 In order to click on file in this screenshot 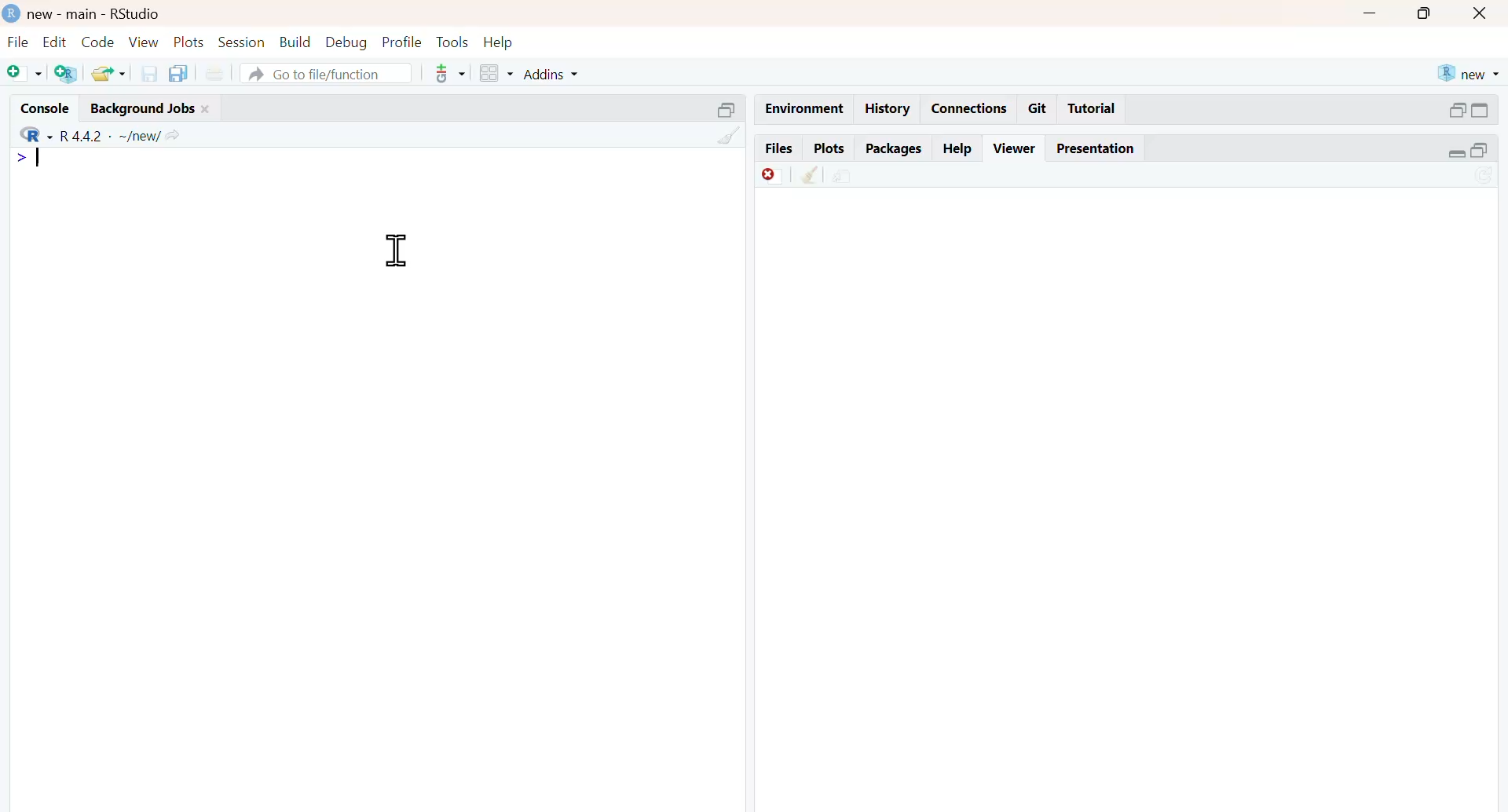, I will do `click(19, 42)`.